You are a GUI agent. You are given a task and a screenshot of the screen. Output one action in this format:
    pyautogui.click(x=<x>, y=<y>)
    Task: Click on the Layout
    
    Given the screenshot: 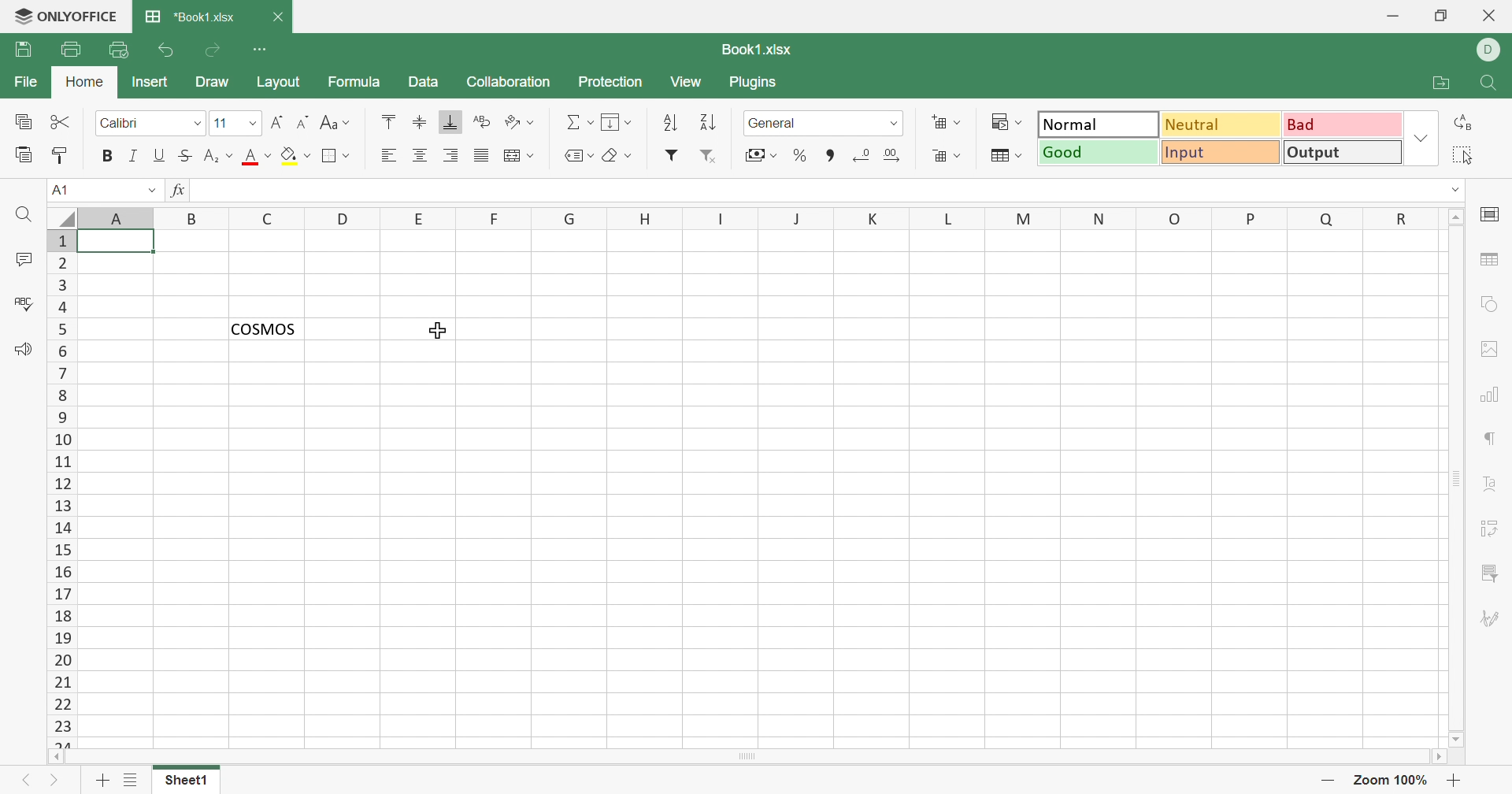 What is the action you would take?
    pyautogui.click(x=279, y=82)
    